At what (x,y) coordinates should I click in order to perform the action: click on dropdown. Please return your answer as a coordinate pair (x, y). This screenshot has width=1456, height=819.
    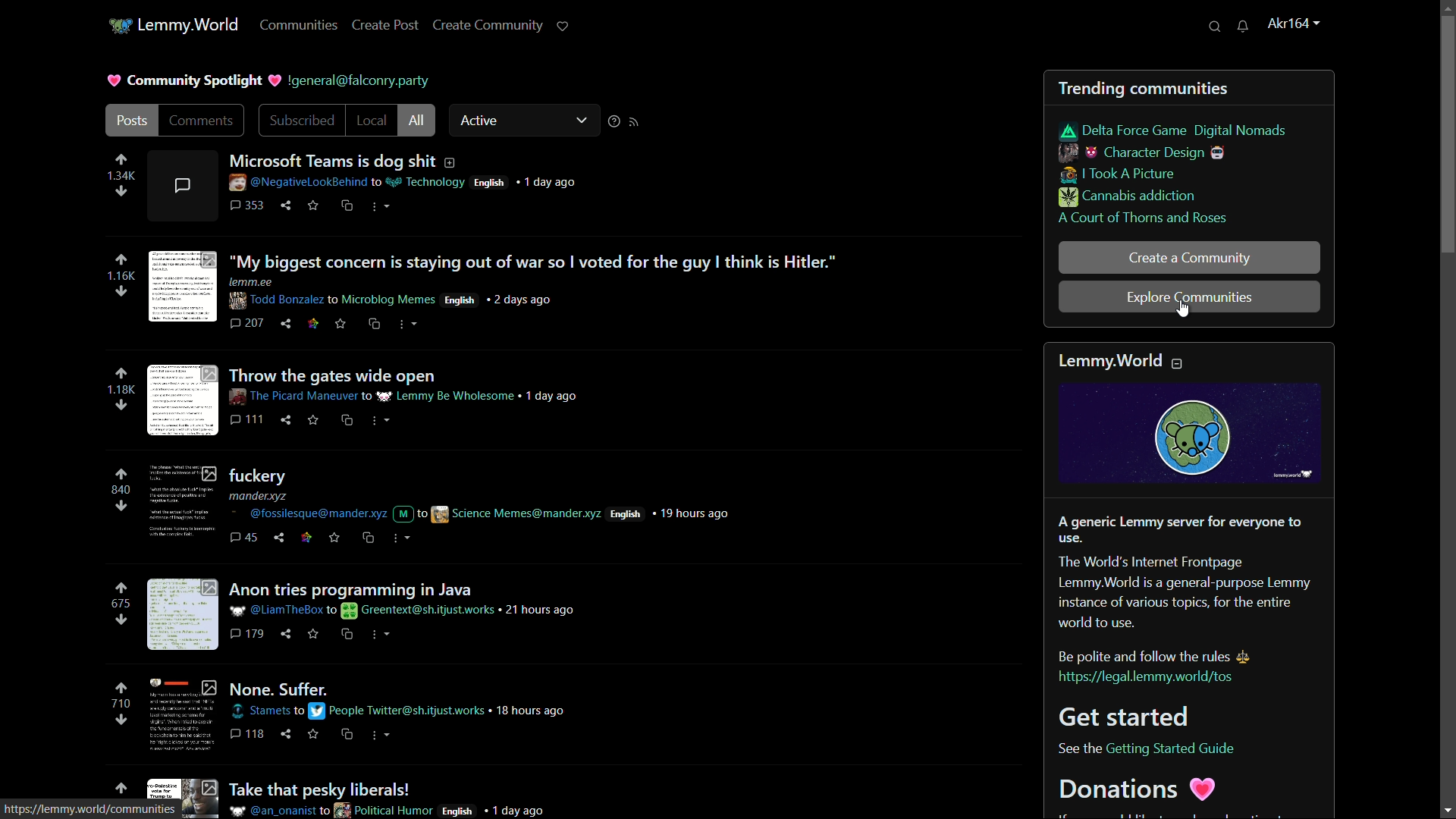
    Looking at the image, I should click on (582, 119).